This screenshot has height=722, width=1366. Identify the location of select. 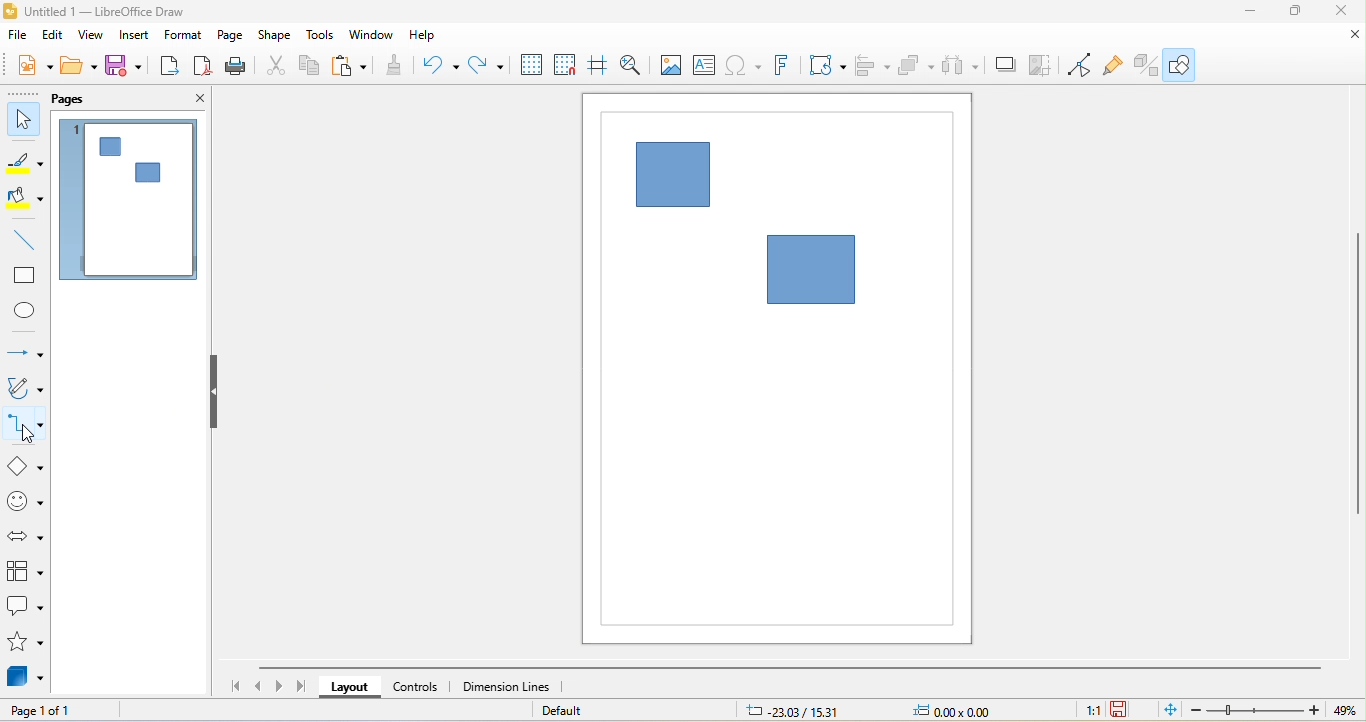
(23, 117).